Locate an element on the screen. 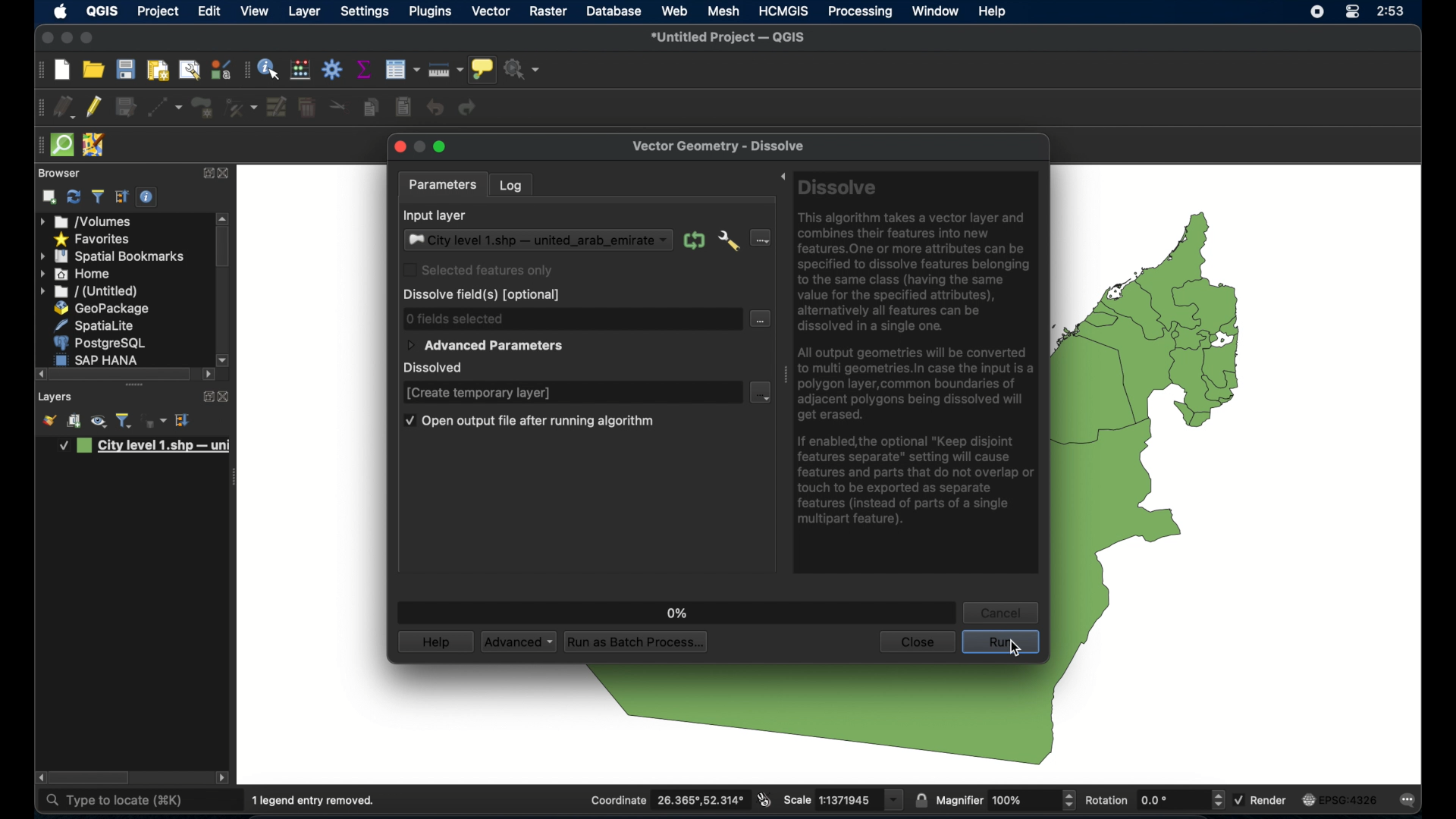 This screenshot has width=1456, height=819. log is located at coordinates (512, 184).